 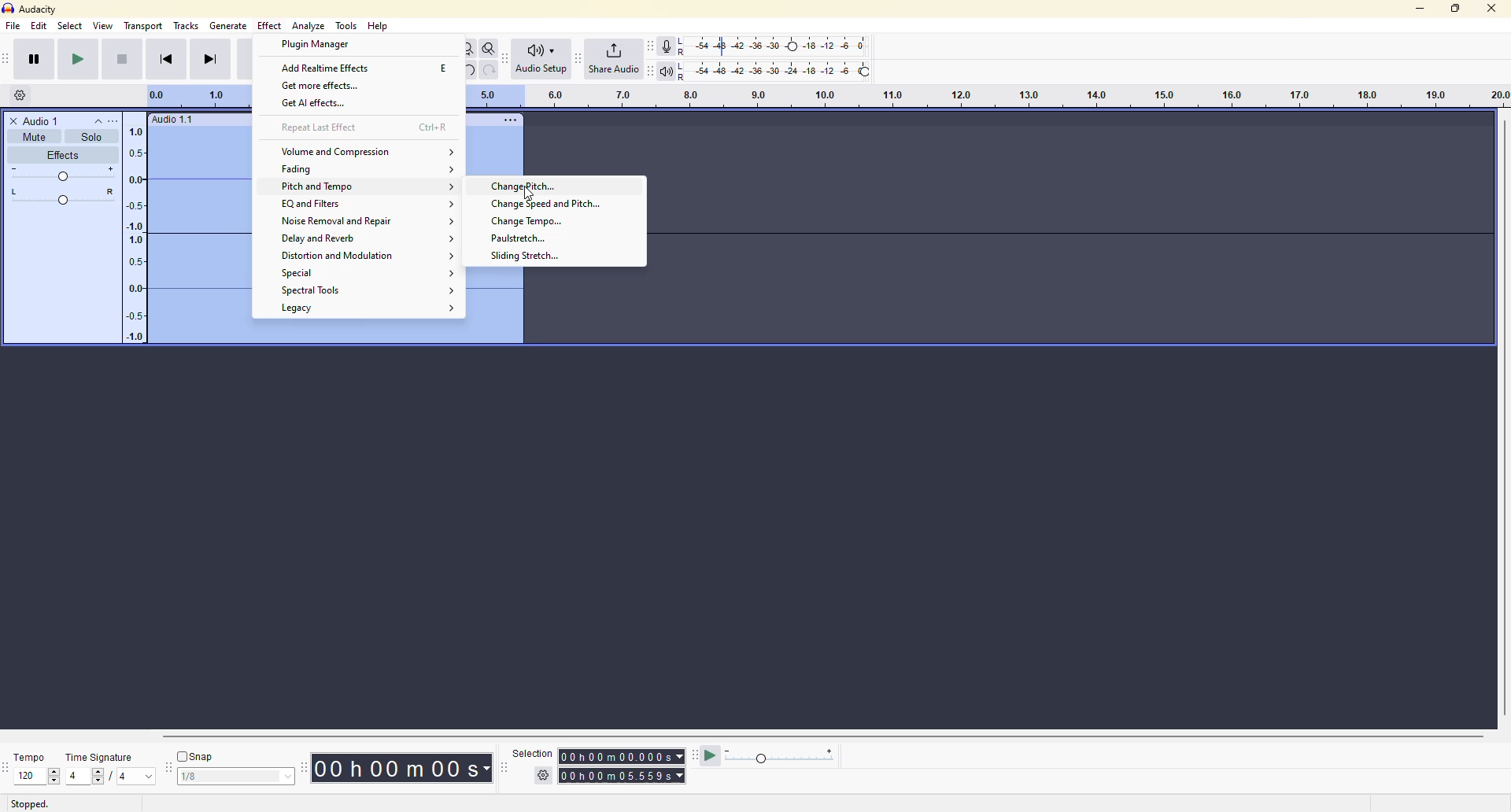 I want to click on expand, so click(x=453, y=188).